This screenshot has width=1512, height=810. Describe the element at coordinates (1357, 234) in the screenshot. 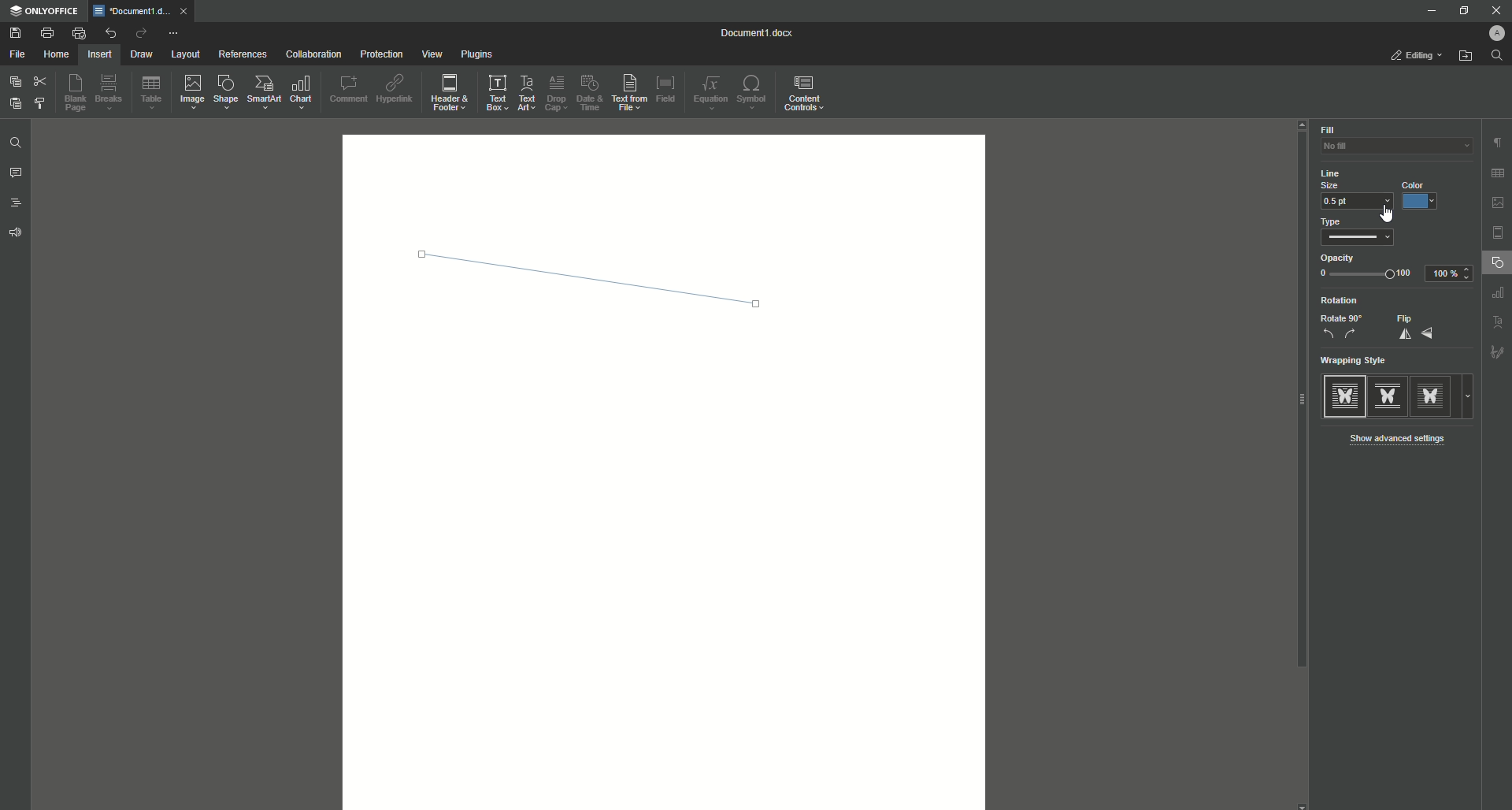

I see `Type` at that location.